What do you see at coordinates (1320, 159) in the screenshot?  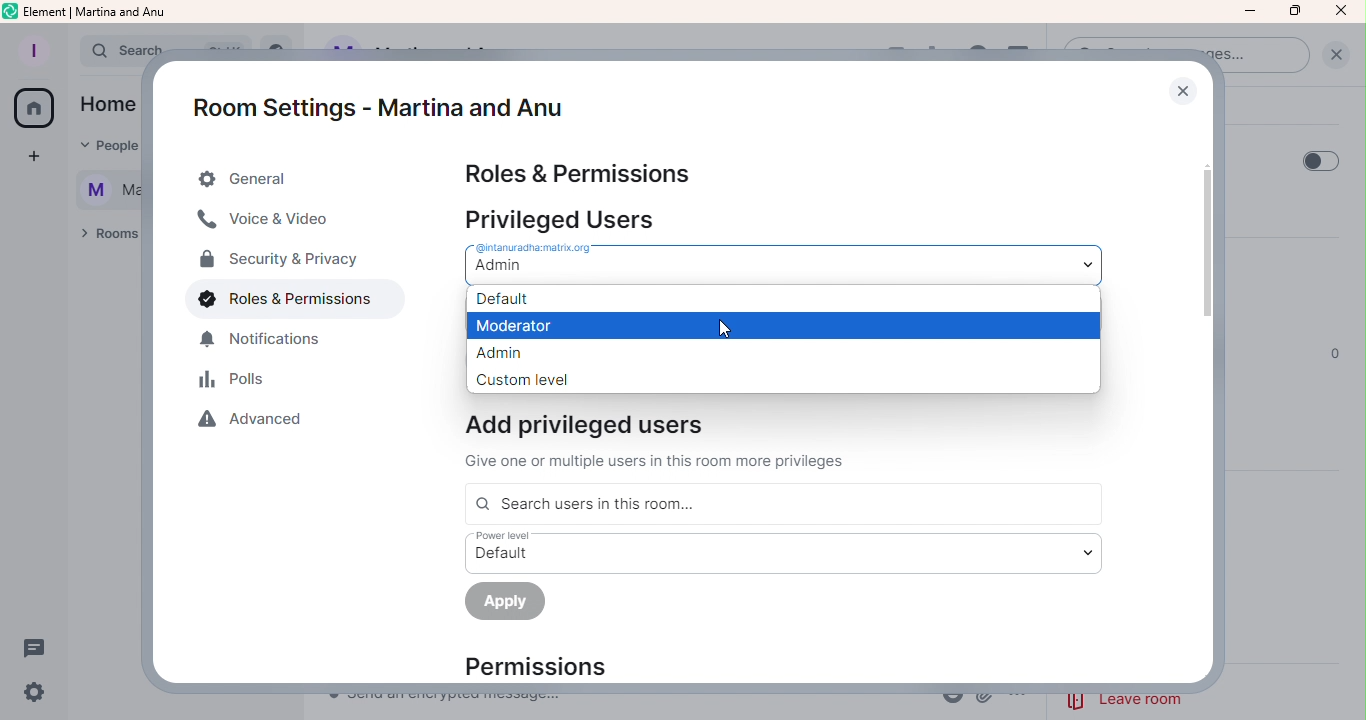 I see `Toggle` at bounding box center [1320, 159].